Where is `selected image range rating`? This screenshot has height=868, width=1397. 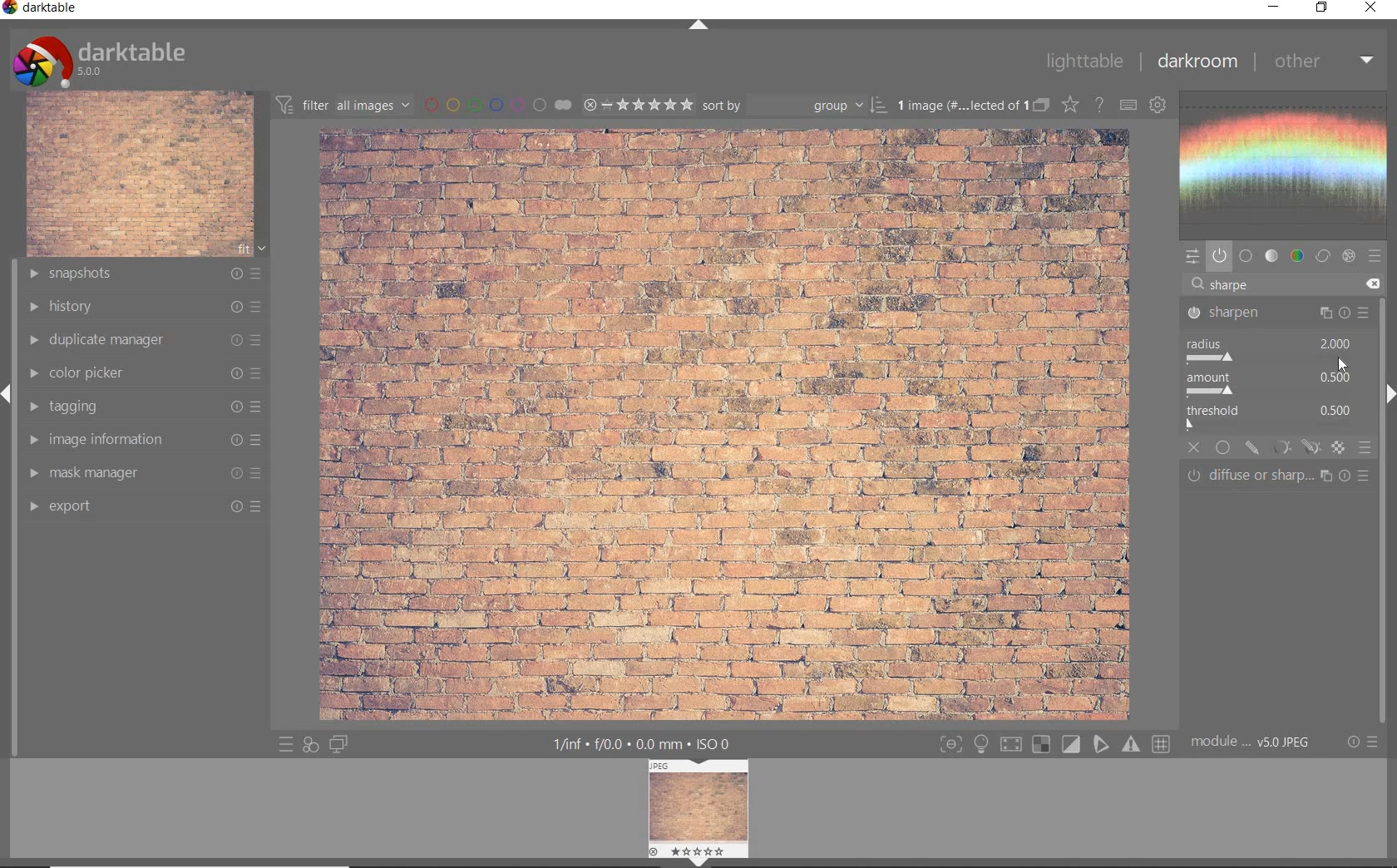
selected image range rating is located at coordinates (638, 105).